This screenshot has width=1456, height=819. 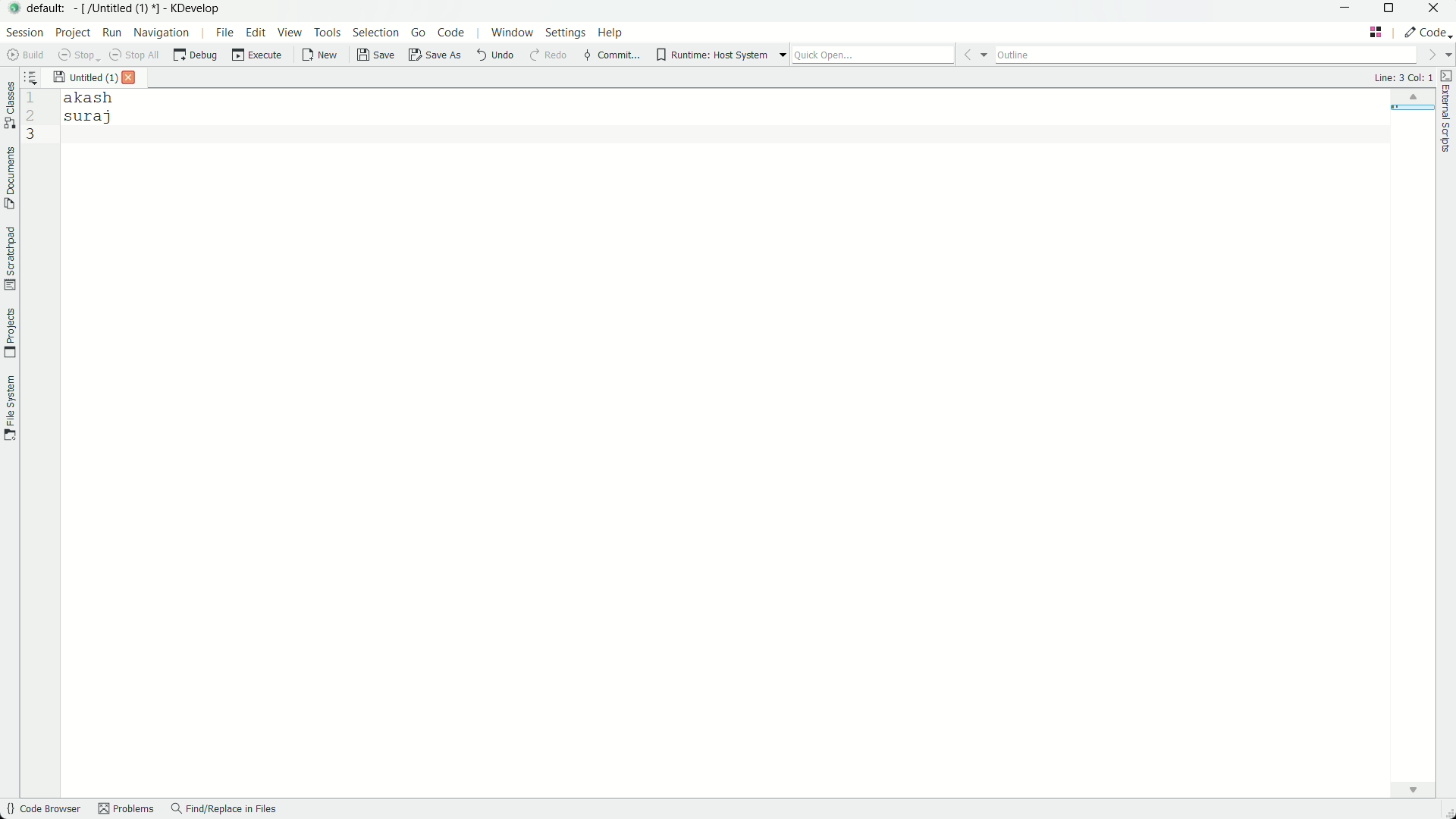 I want to click on help menu, so click(x=613, y=32).